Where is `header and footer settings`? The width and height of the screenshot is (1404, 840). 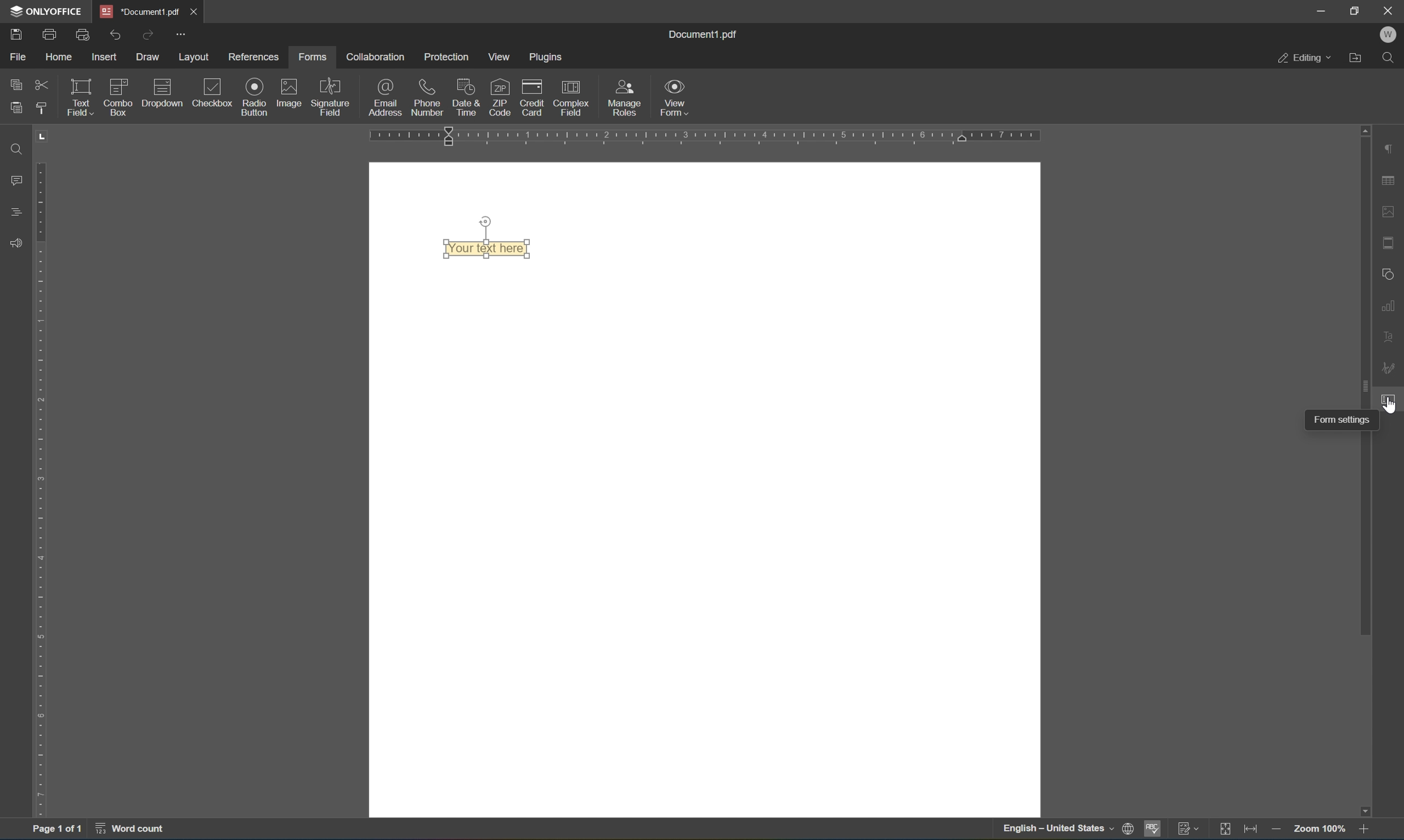
header and footer settings is located at coordinates (1392, 242).